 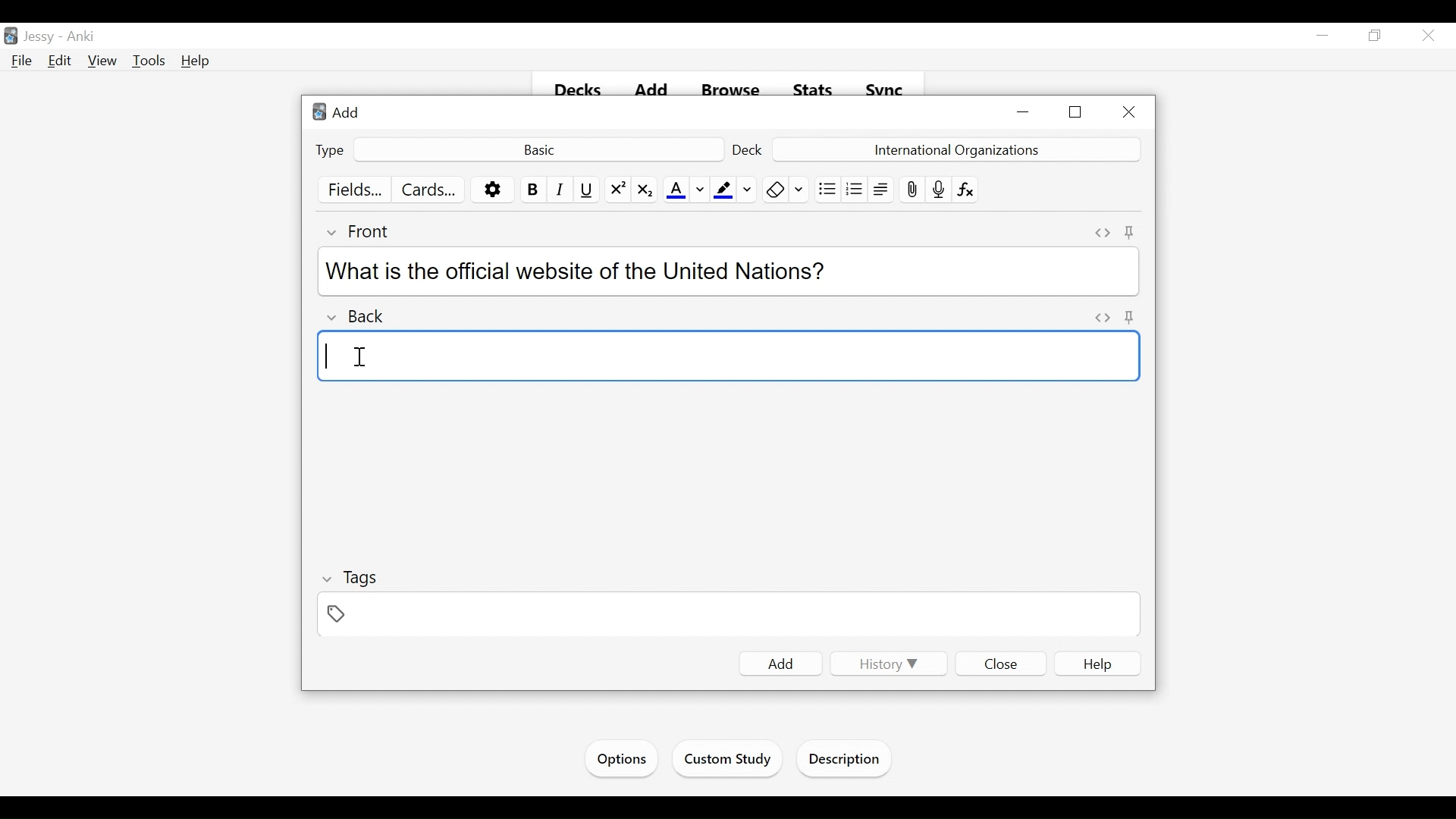 What do you see at coordinates (880, 86) in the screenshot?
I see `Svnc` at bounding box center [880, 86].